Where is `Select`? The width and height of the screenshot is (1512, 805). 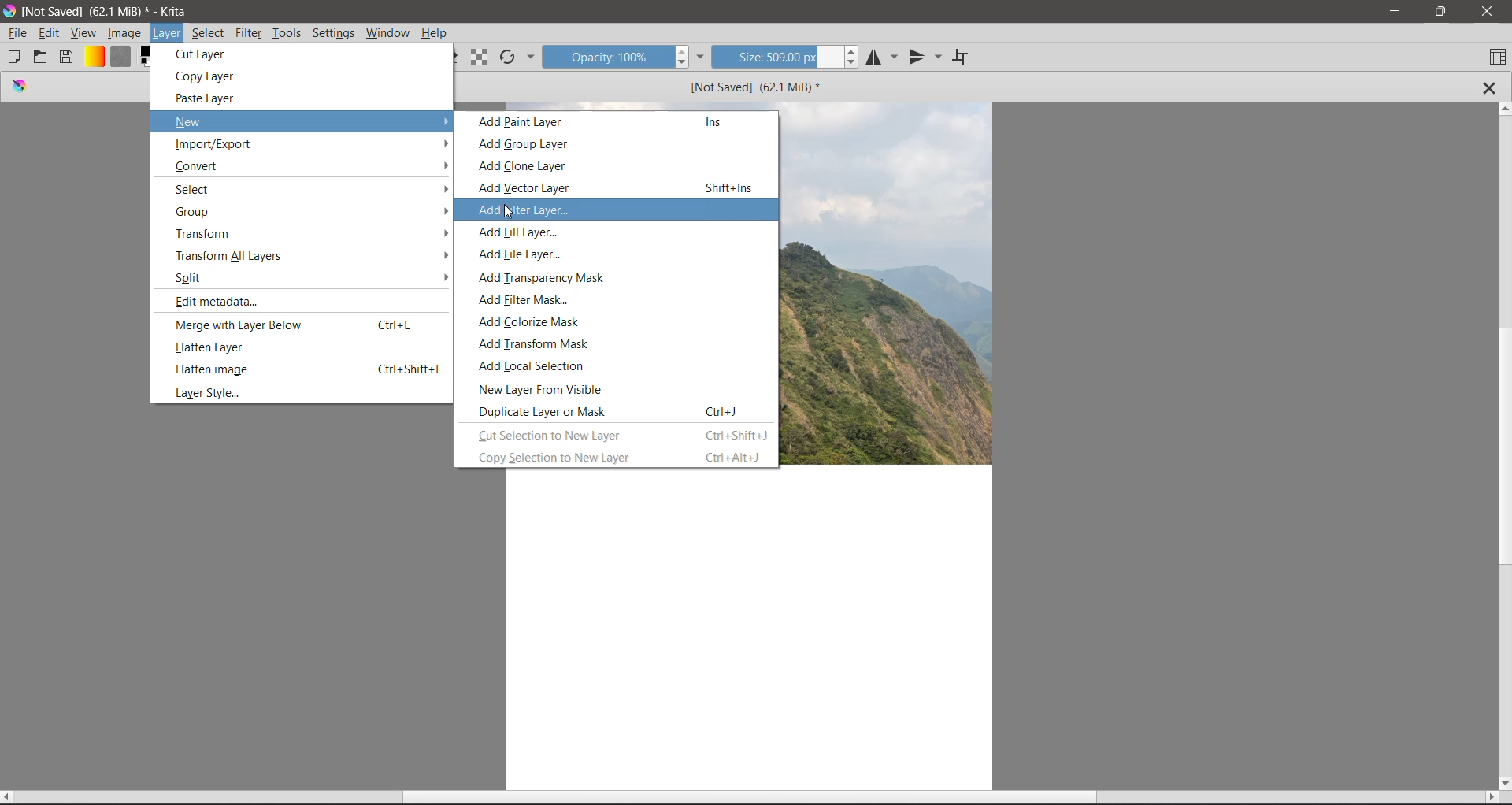
Select is located at coordinates (207, 33).